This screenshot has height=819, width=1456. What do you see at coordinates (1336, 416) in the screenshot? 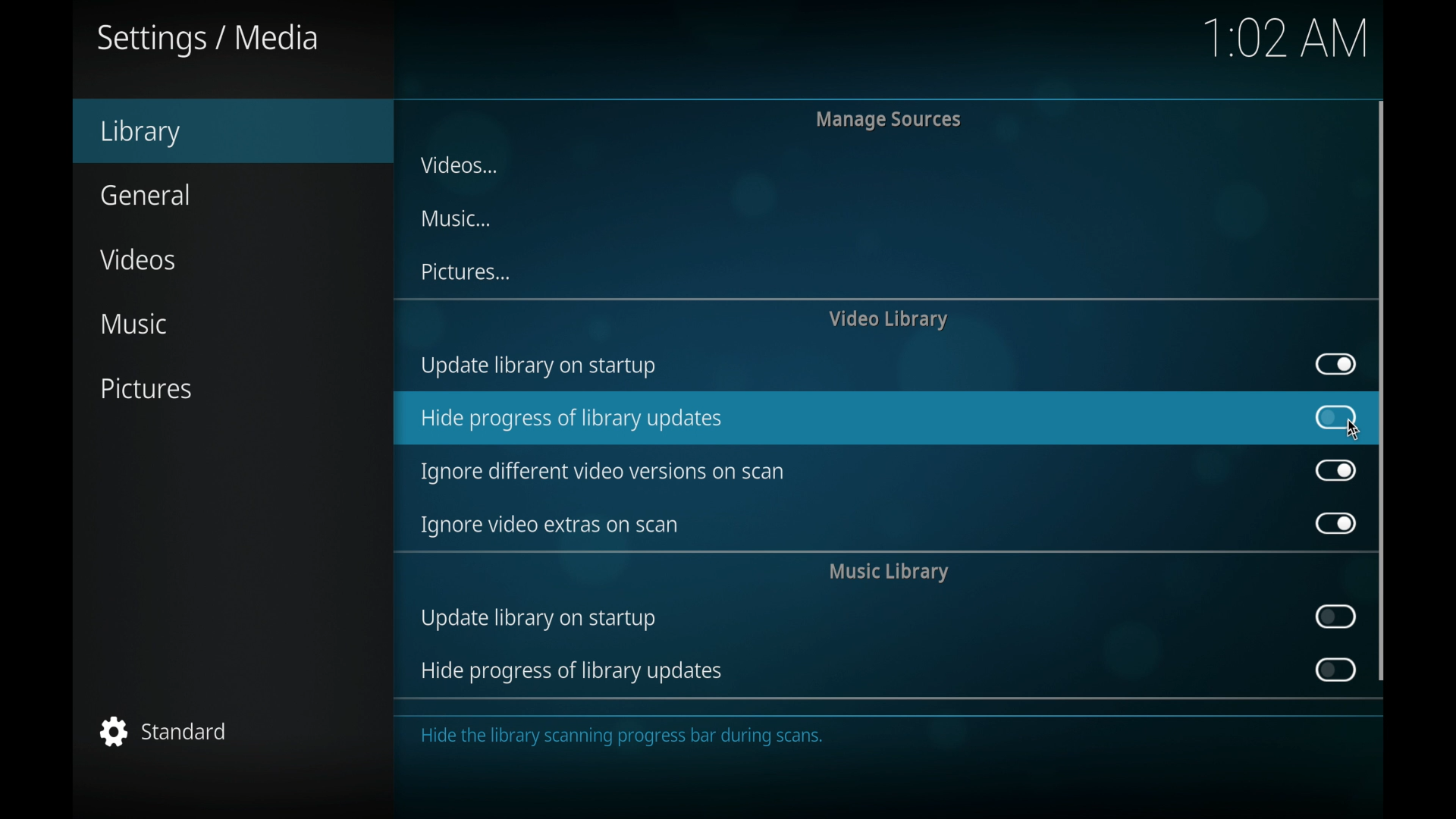
I see `toggle button` at bounding box center [1336, 416].